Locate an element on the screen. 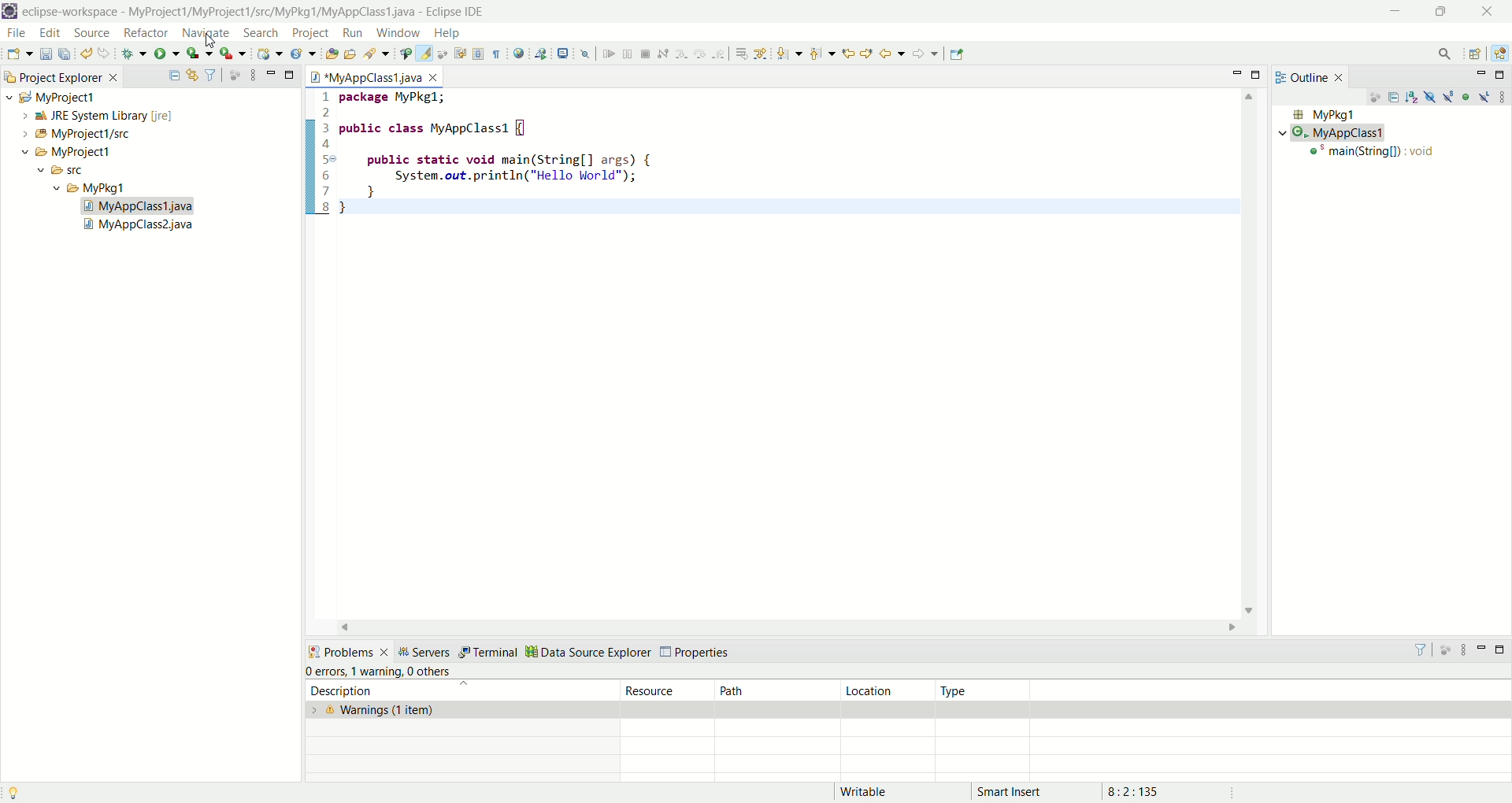 This screenshot has width=1512, height=803. open perspective is located at coordinates (1475, 54).